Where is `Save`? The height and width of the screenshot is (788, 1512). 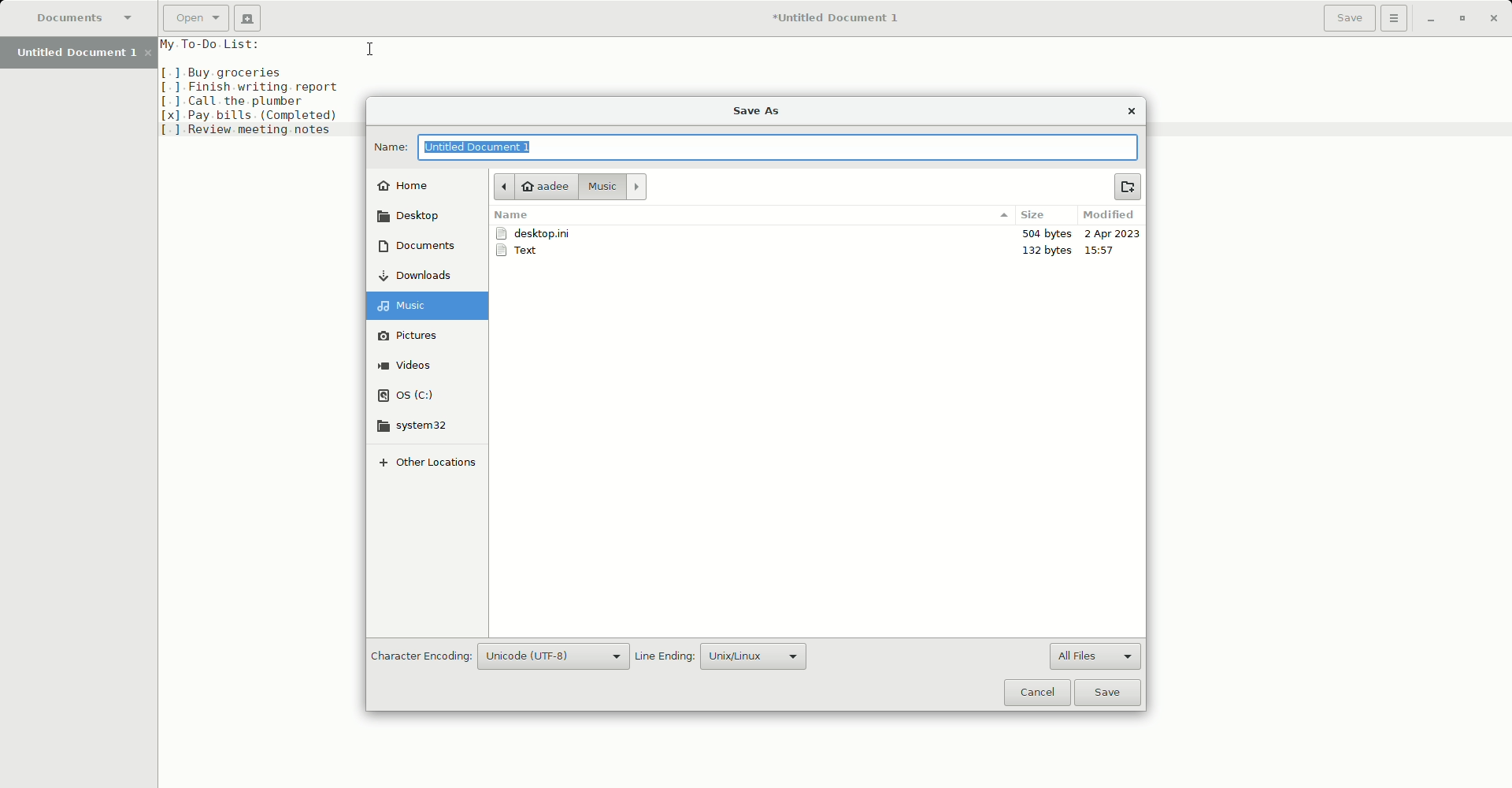 Save is located at coordinates (1348, 20).